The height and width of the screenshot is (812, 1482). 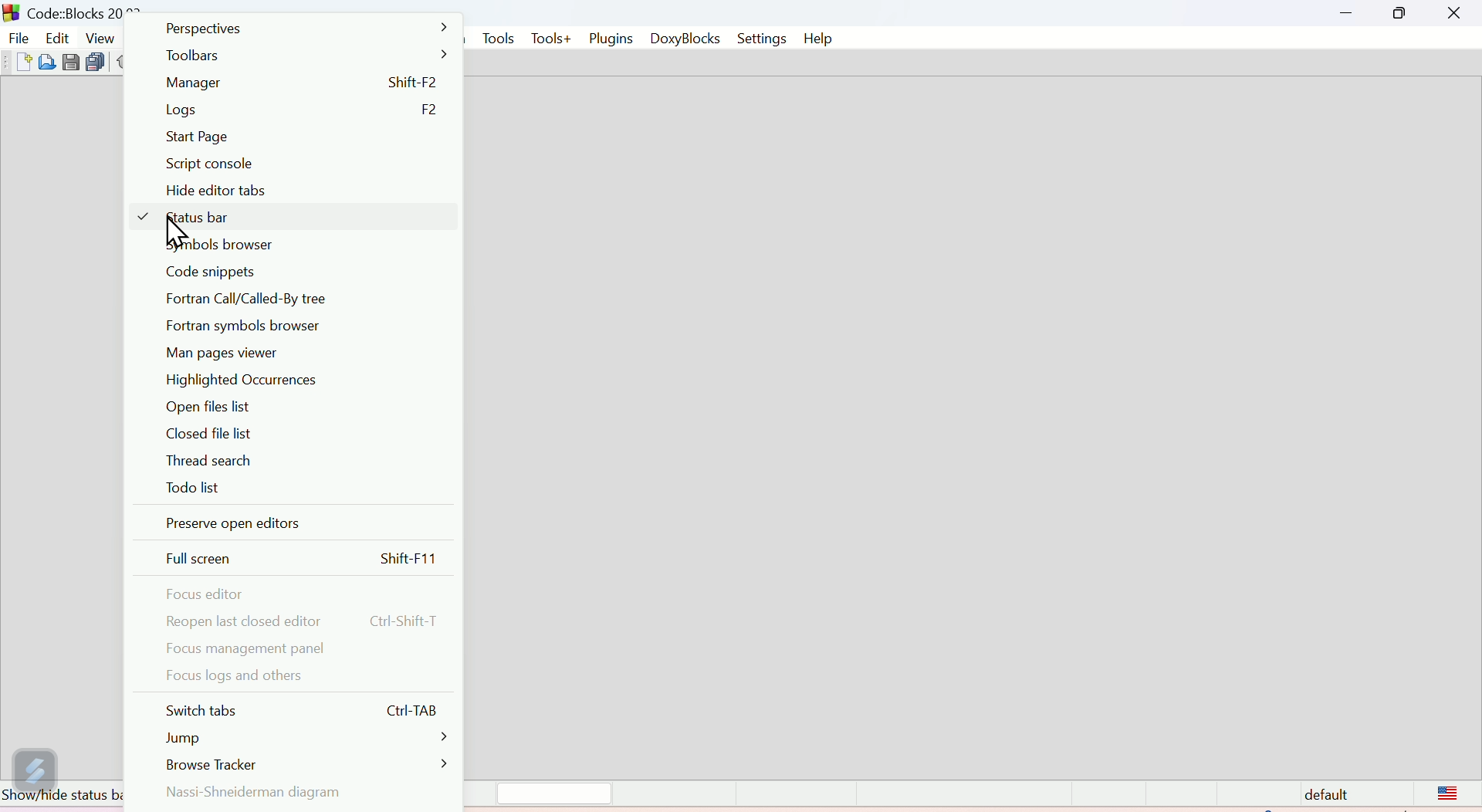 I want to click on Settings, so click(x=764, y=39).